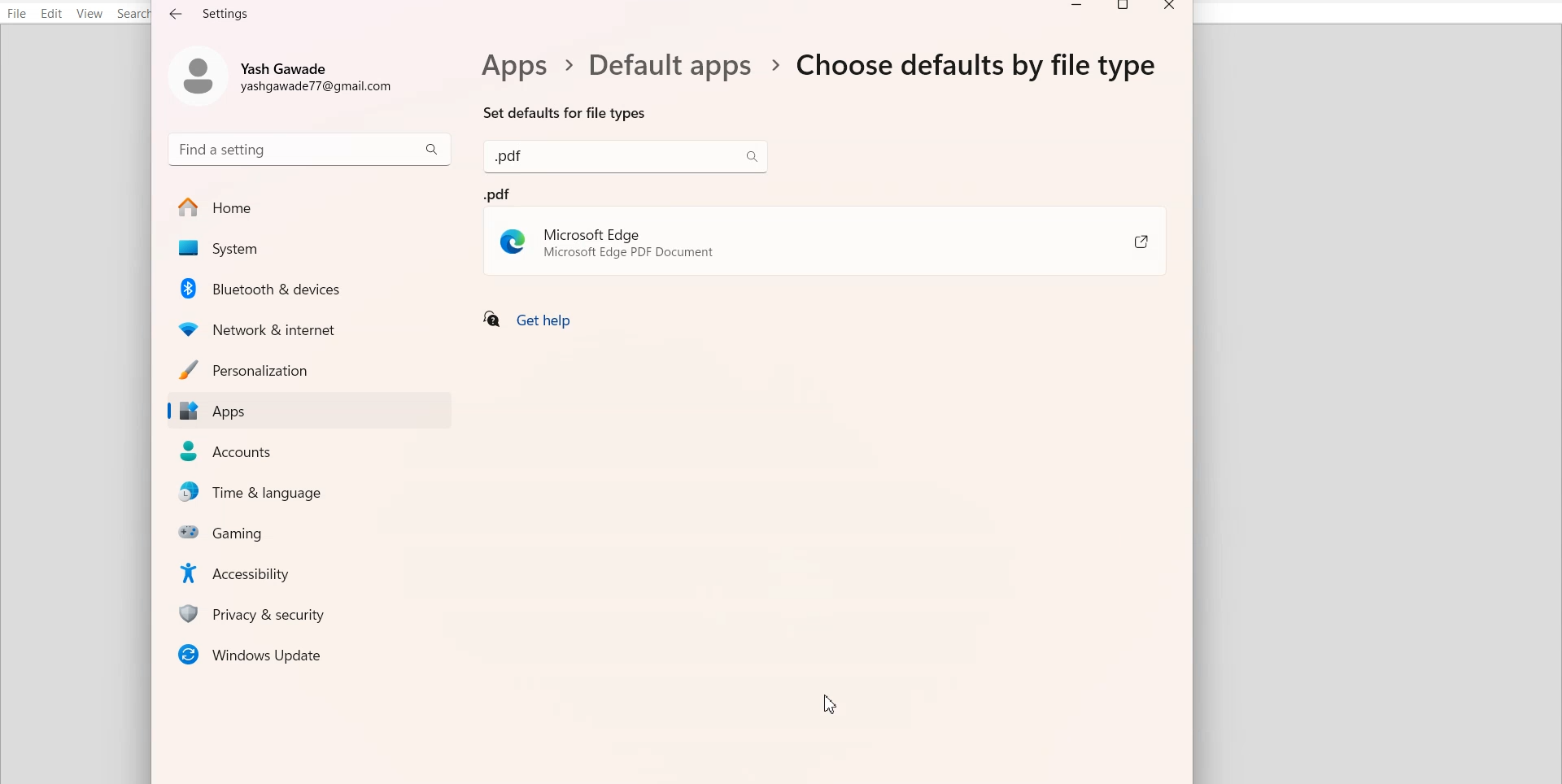 This screenshot has width=1562, height=784. Describe the element at coordinates (630, 159) in the screenshot. I see `search` at that location.